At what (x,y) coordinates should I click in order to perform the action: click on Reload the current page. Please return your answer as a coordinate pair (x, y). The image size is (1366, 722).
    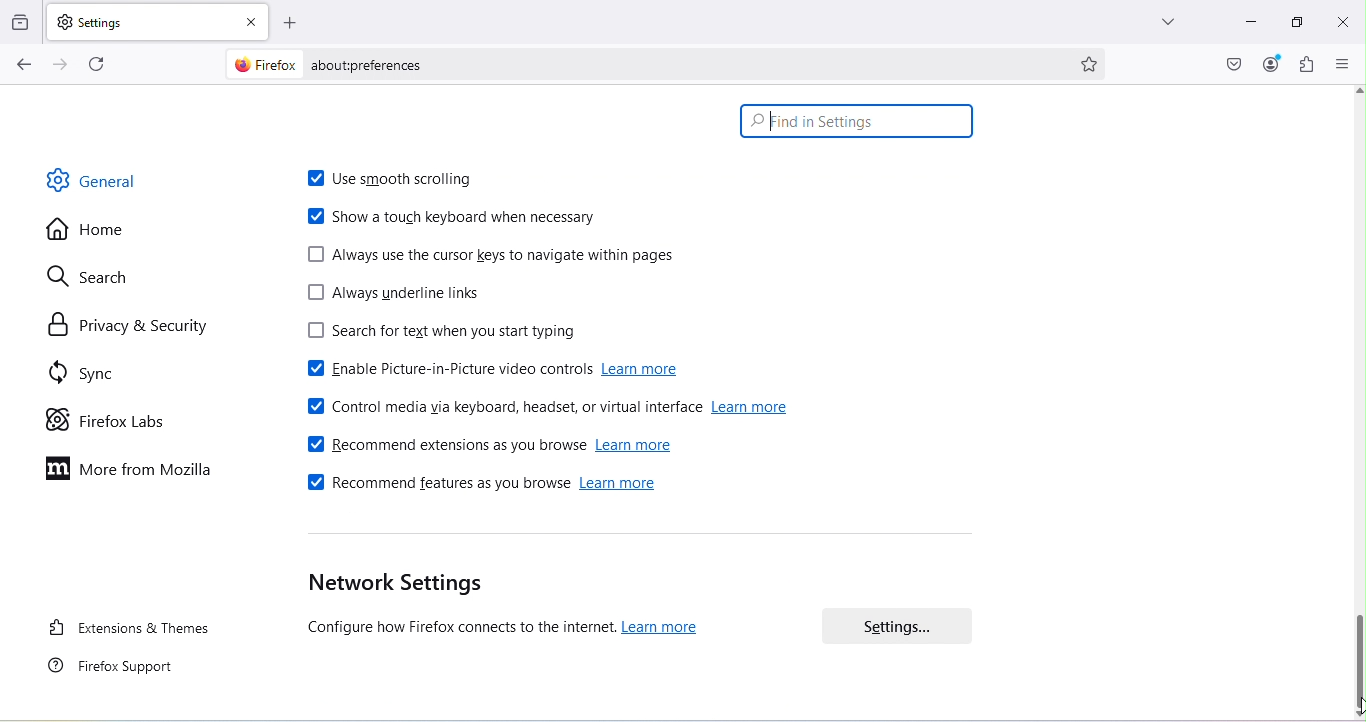
    Looking at the image, I should click on (96, 65).